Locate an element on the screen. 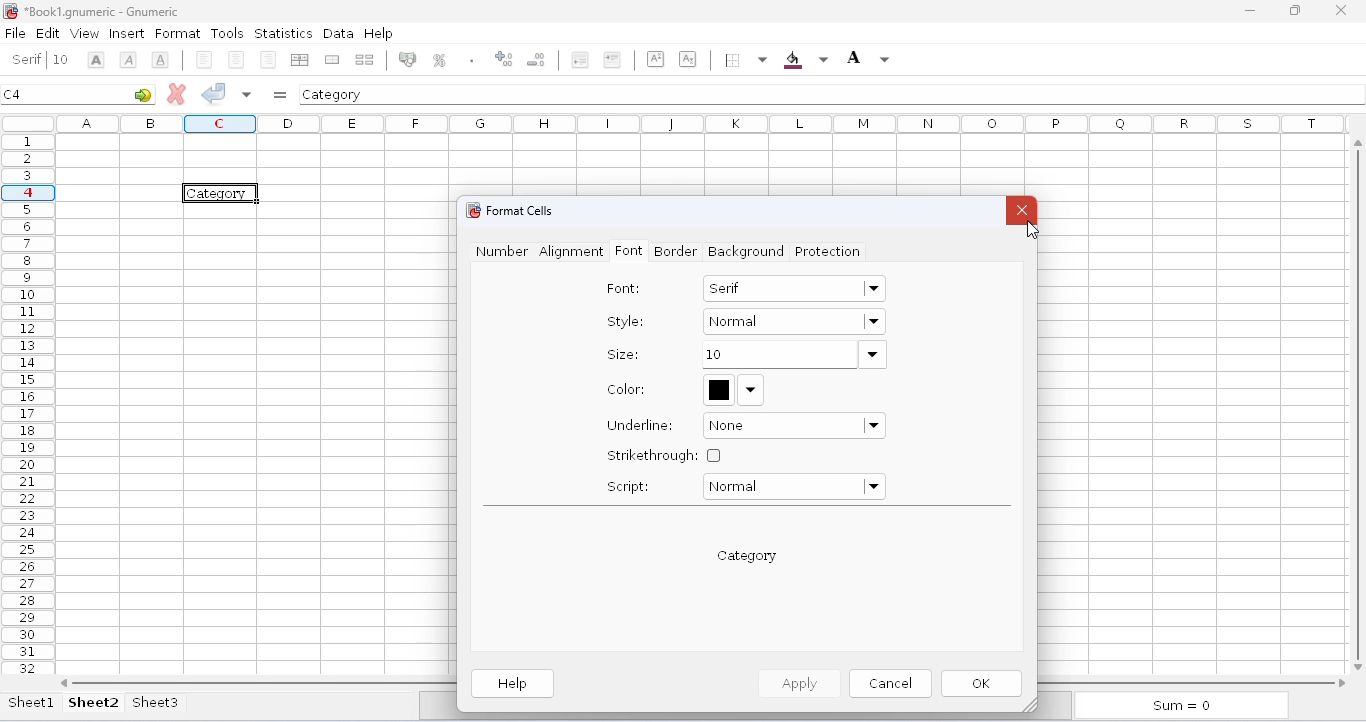  color: is located at coordinates (627, 389).